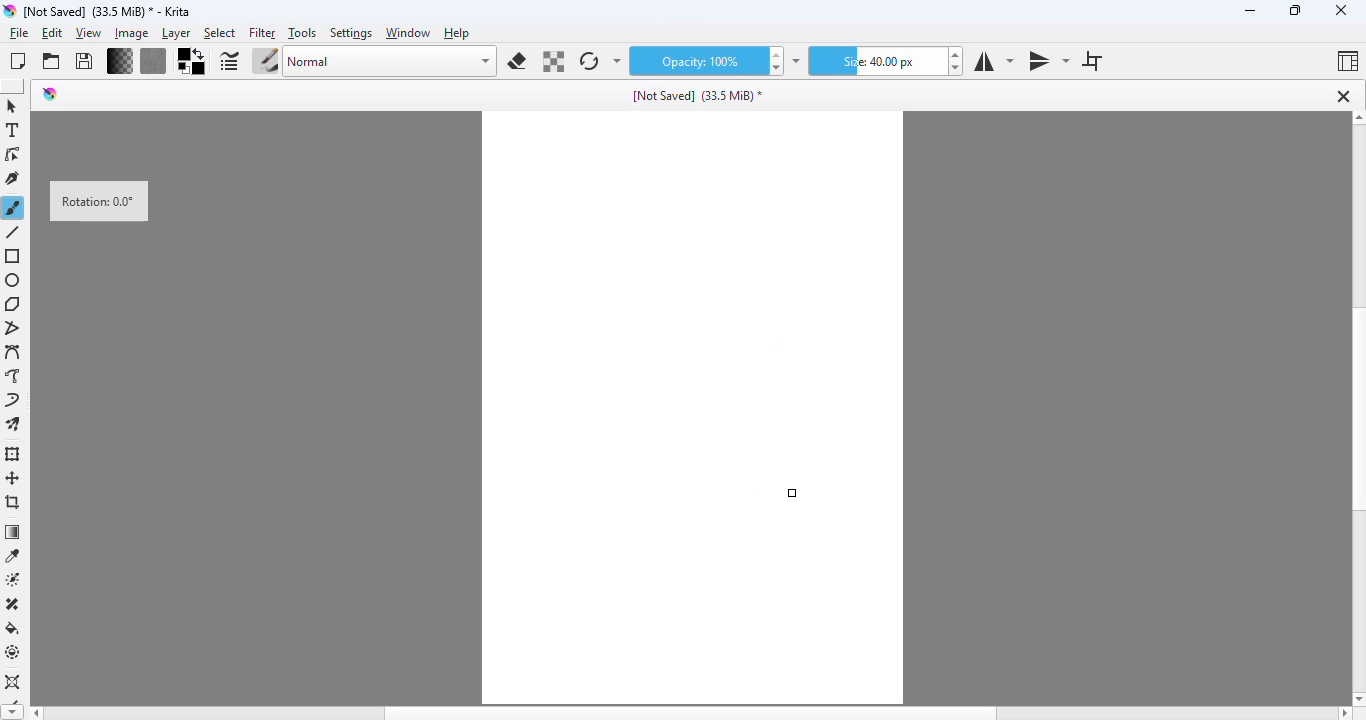  I want to click on calligraphy, so click(13, 178).